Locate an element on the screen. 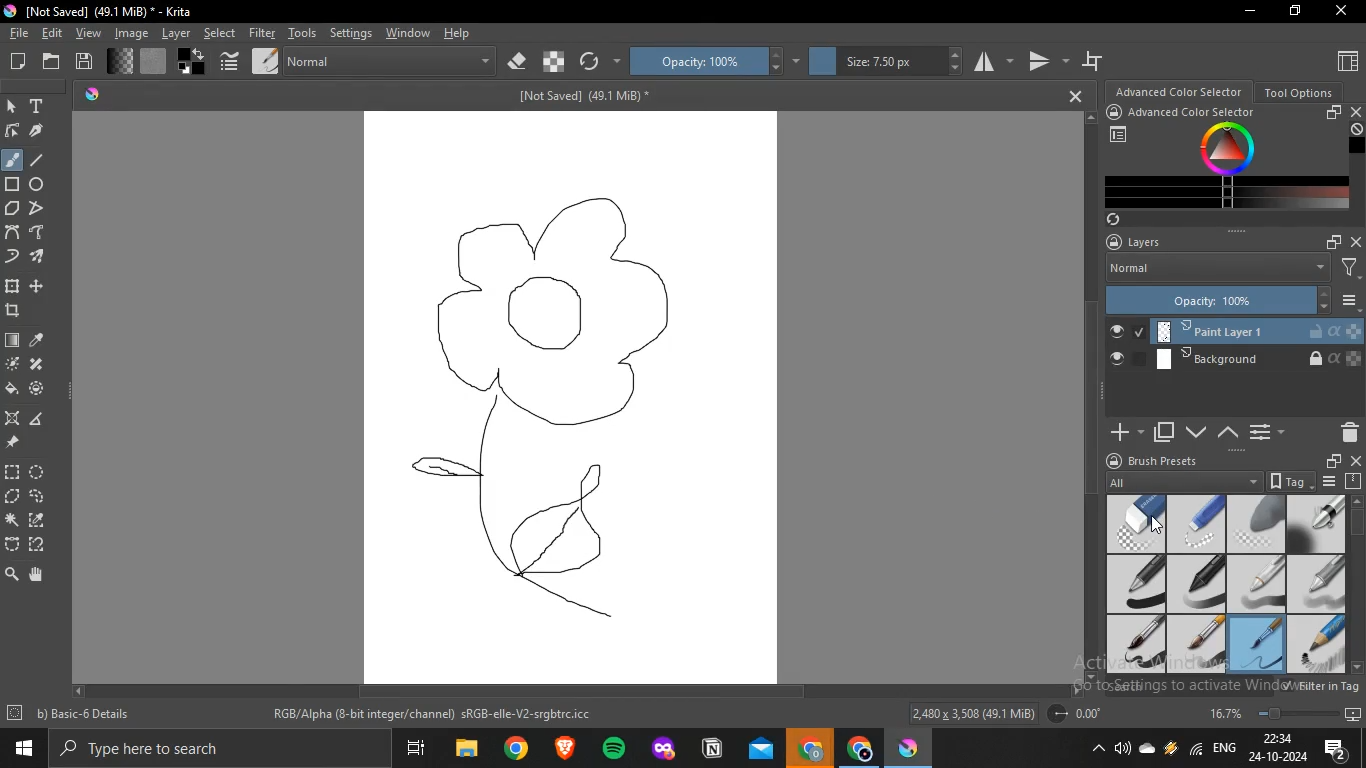 The width and height of the screenshot is (1366, 768). Zoom is located at coordinates (1274, 712).